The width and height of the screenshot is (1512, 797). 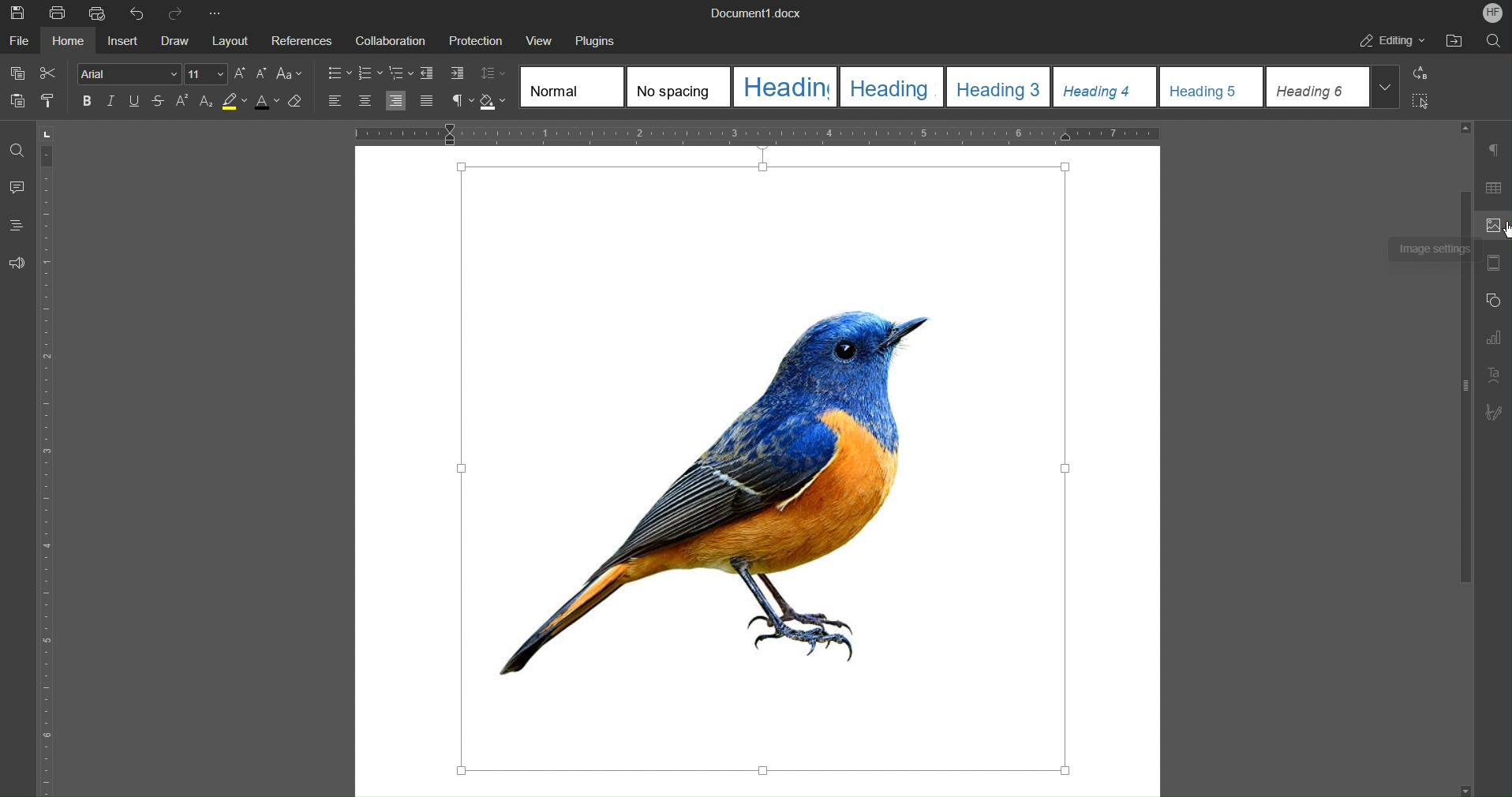 I want to click on Bold, so click(x=88, y=101).